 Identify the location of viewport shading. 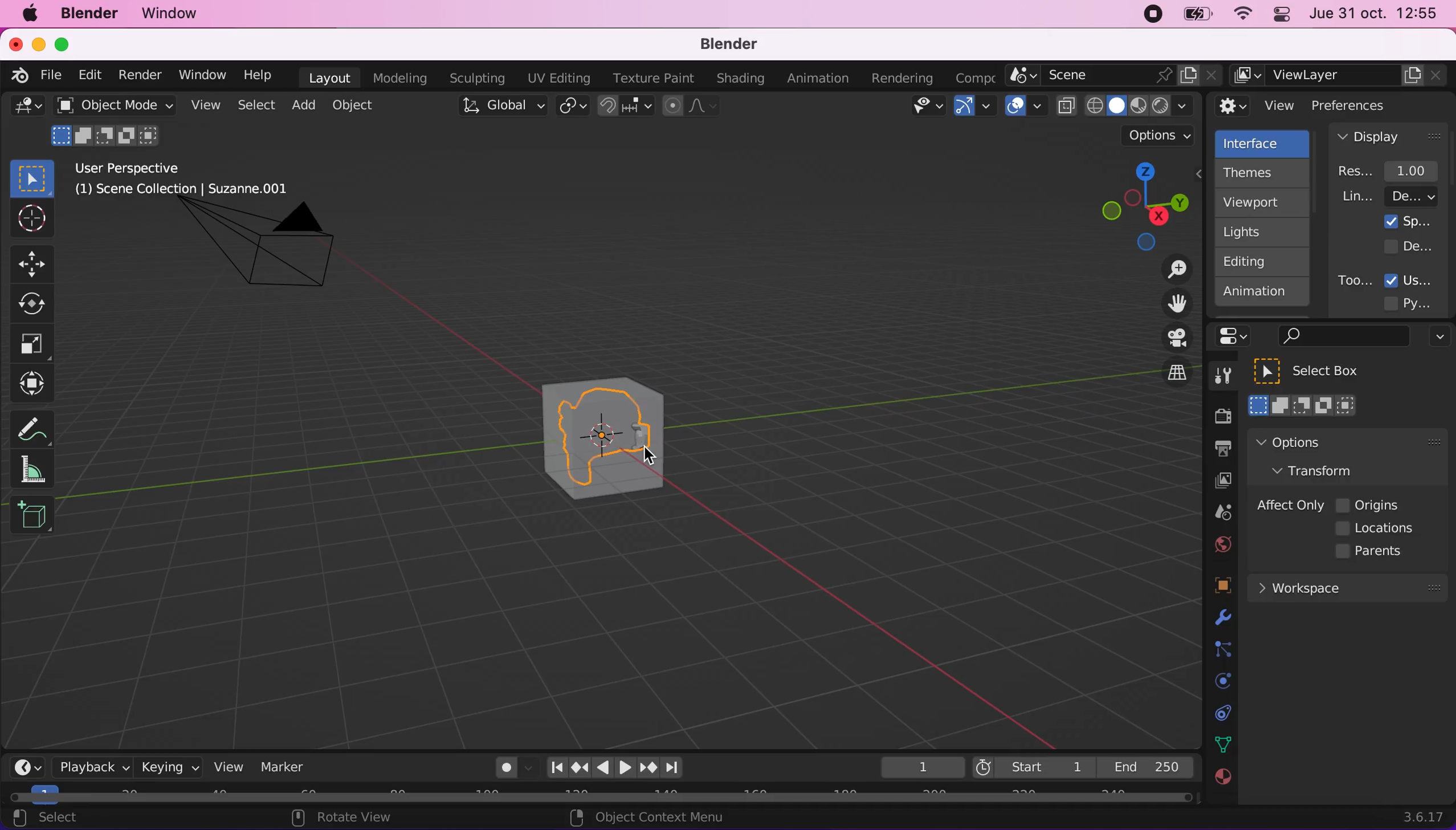
(1128, 105).